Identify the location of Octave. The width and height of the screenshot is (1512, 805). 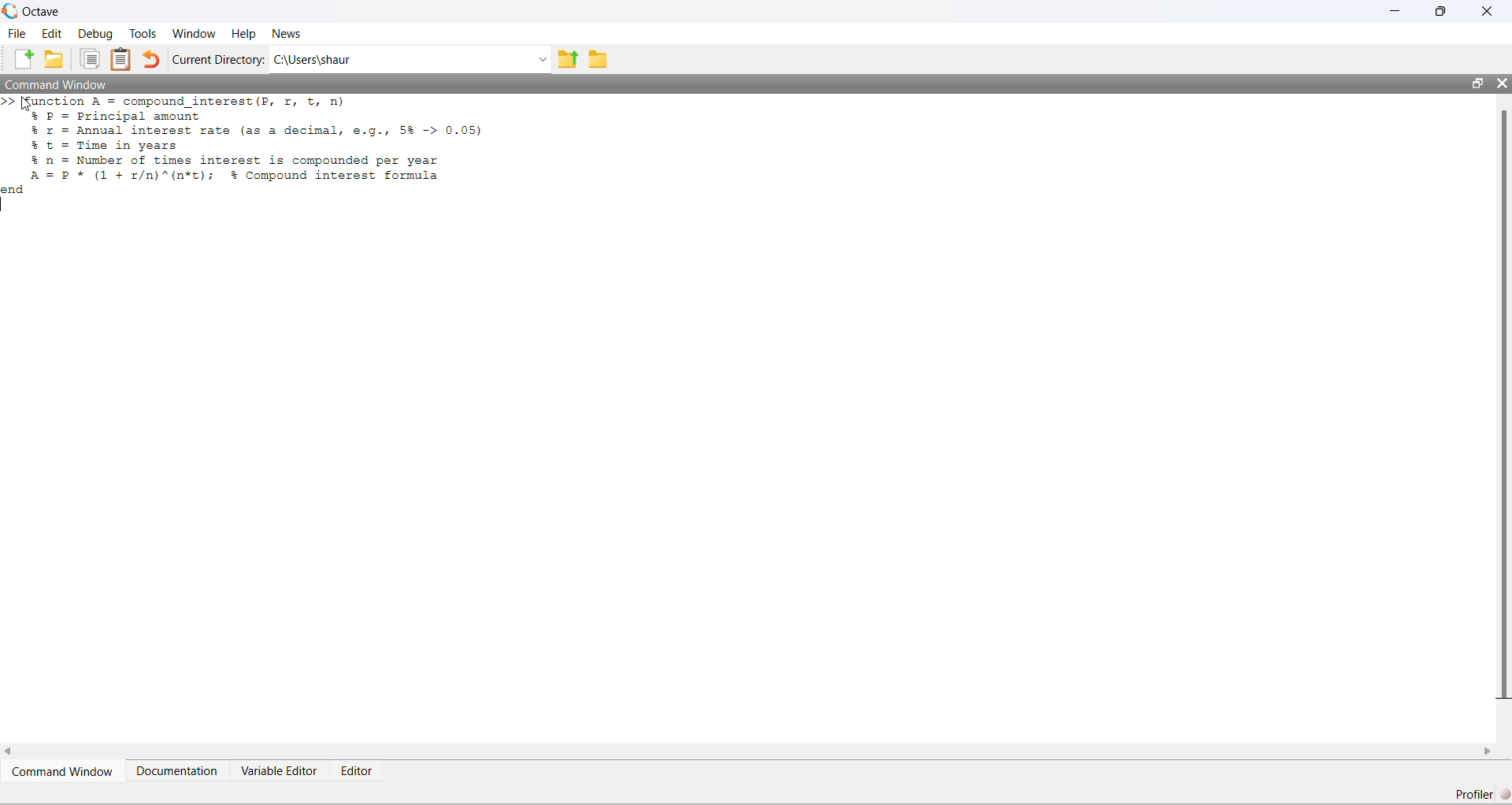
(41, 12).